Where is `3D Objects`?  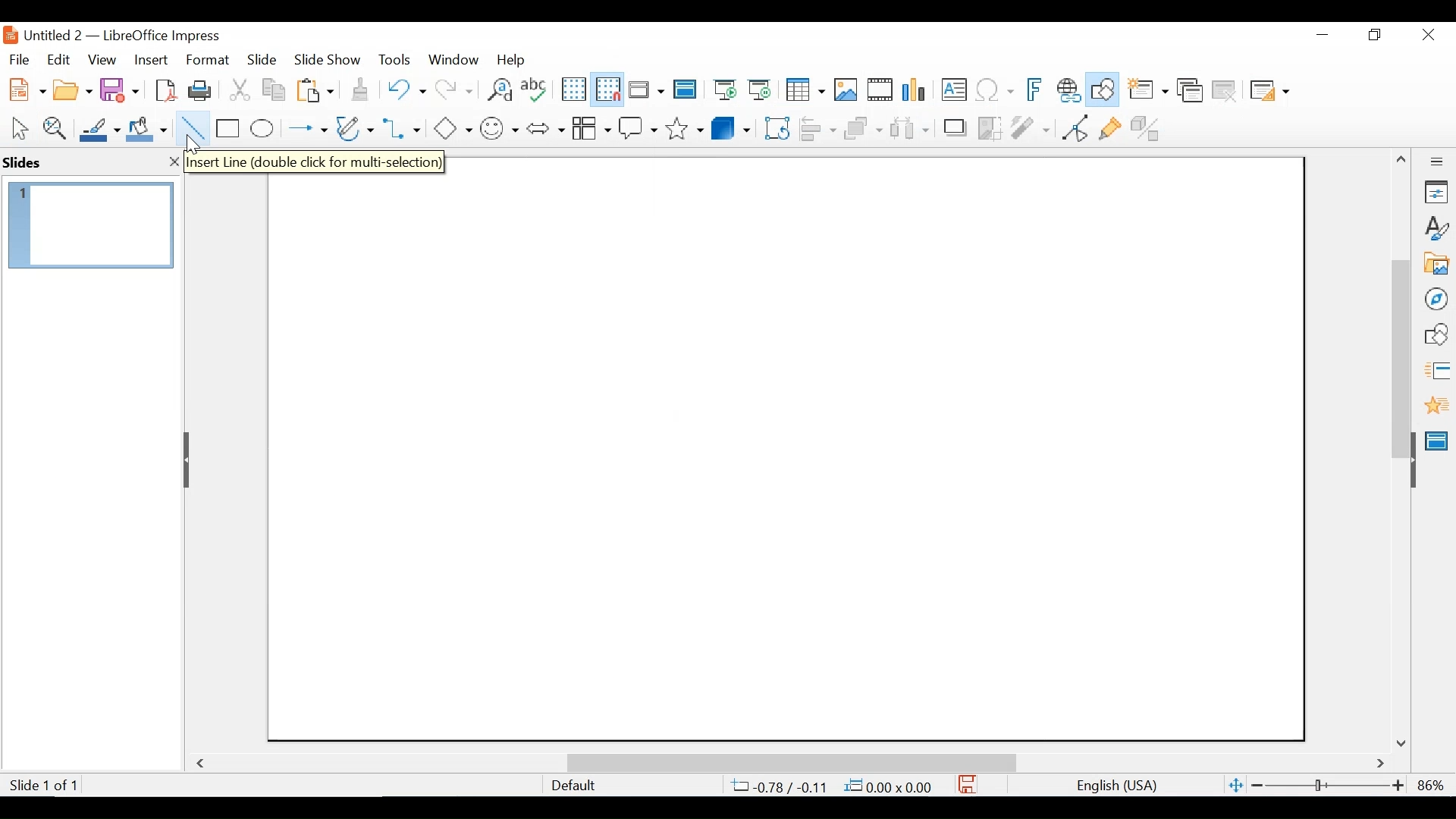 3D Objects is located at coordinates (731, 127).